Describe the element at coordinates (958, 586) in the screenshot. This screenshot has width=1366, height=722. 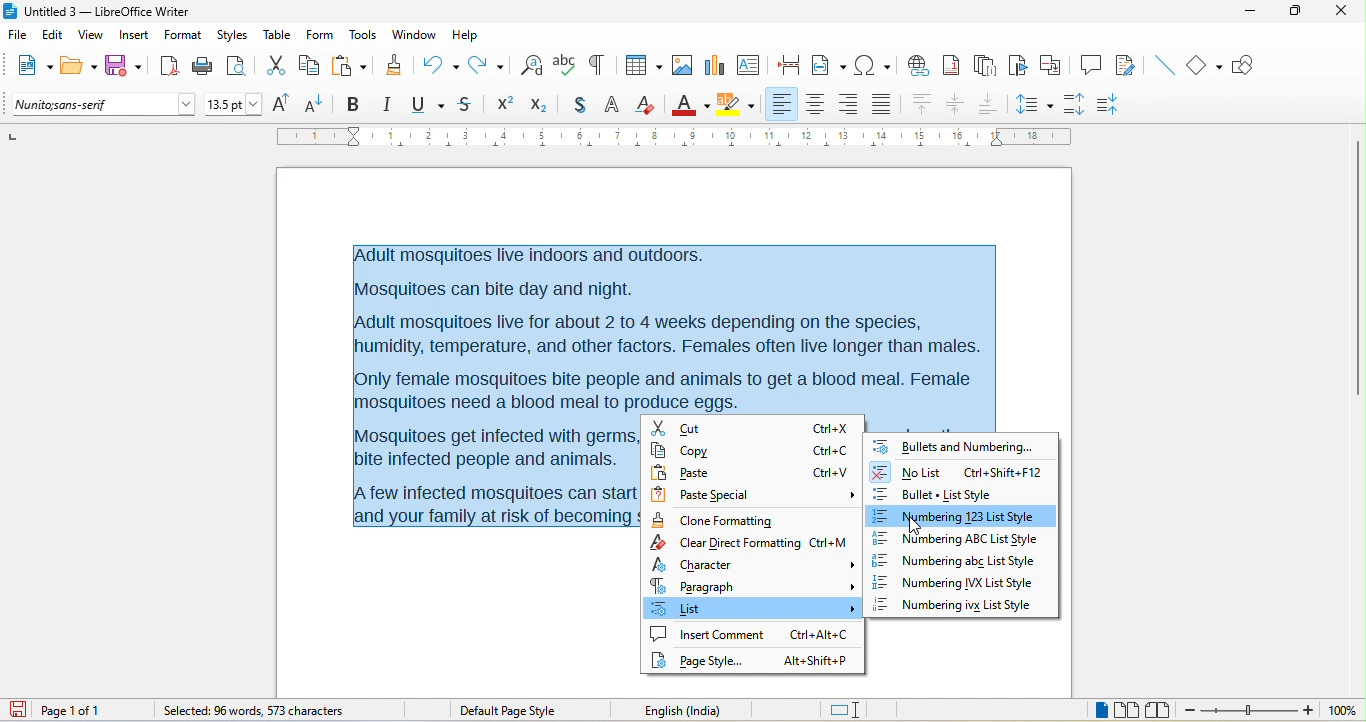
I see `numbering ivx list style` at that location.